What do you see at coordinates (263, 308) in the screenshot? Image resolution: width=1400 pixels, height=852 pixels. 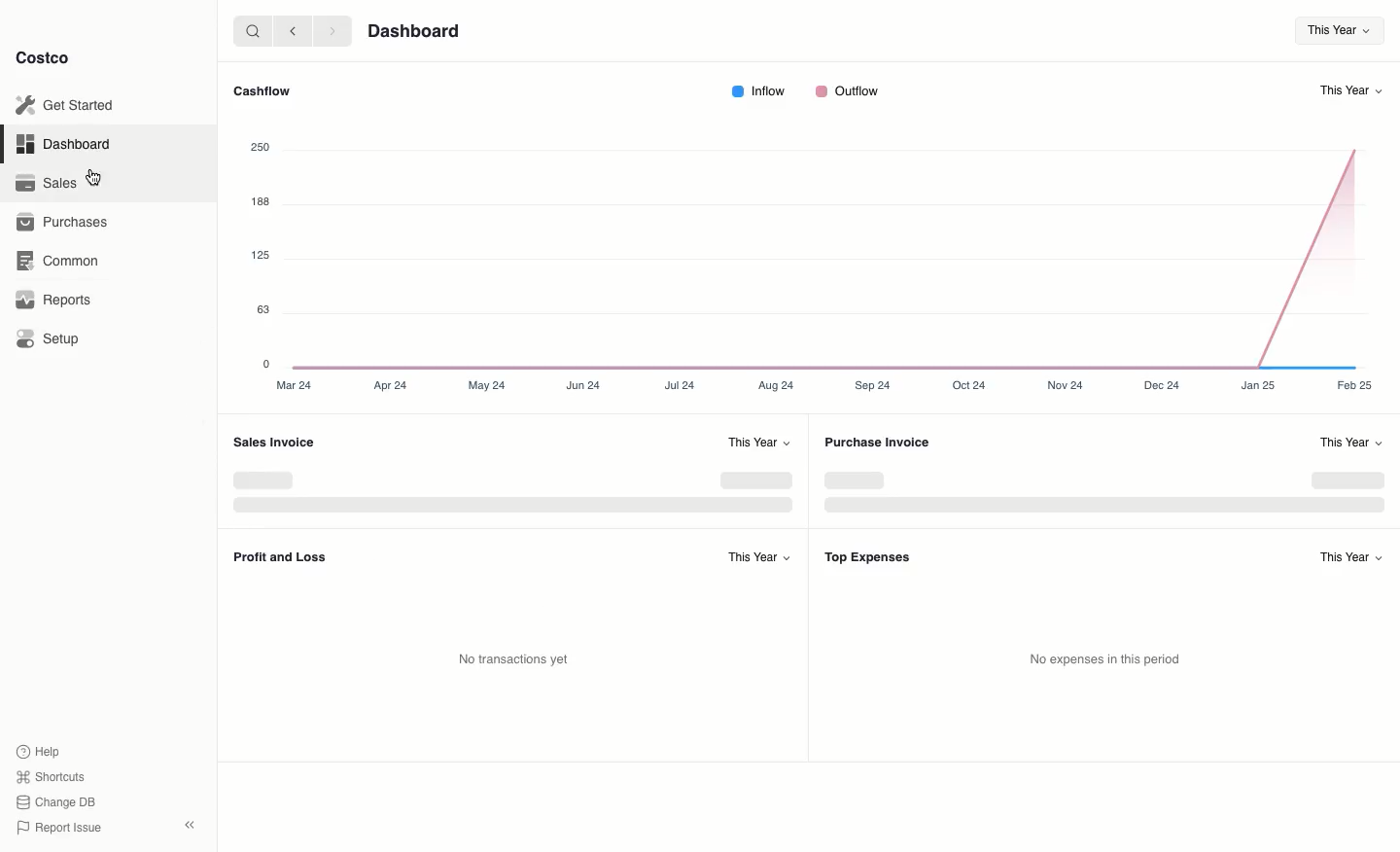 I see `63` at bounding box center [263, 308].